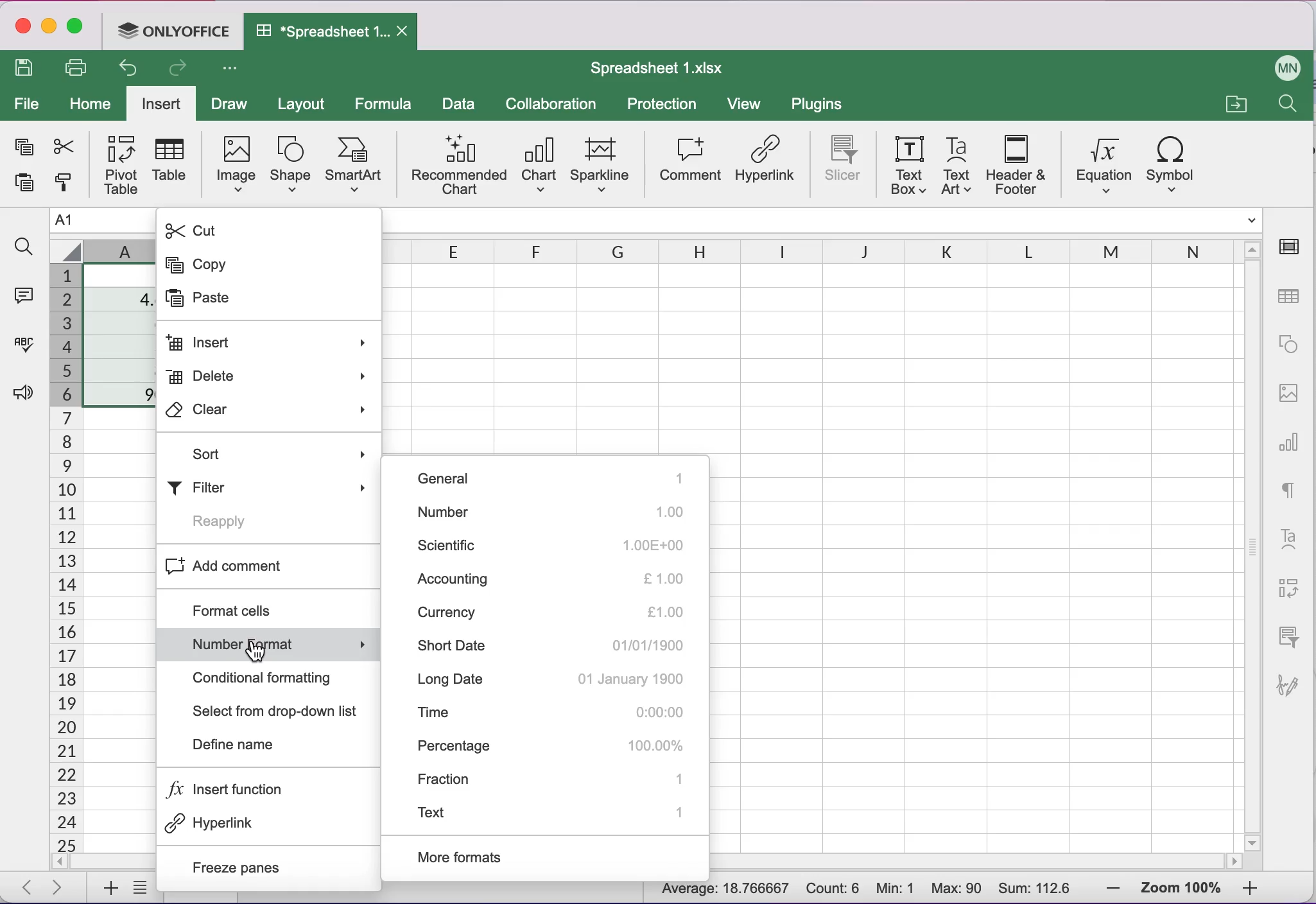  What do you see at coordinates (261, 790) in the screenshot?
I see `Insert function` at bounding box center [261, 790].